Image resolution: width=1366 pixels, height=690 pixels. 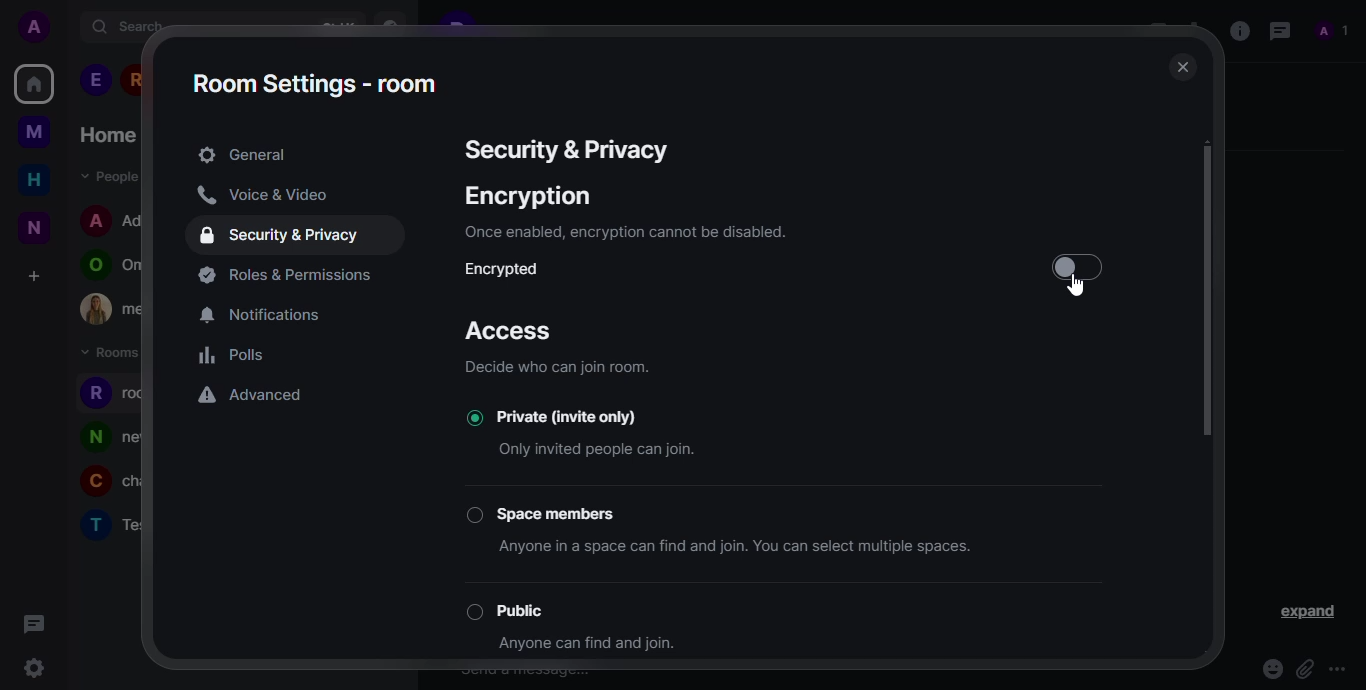 What do you see at coordinates (1271, 667) in the screenshot?
I see `emoji` at bounding box center [1271, 667].